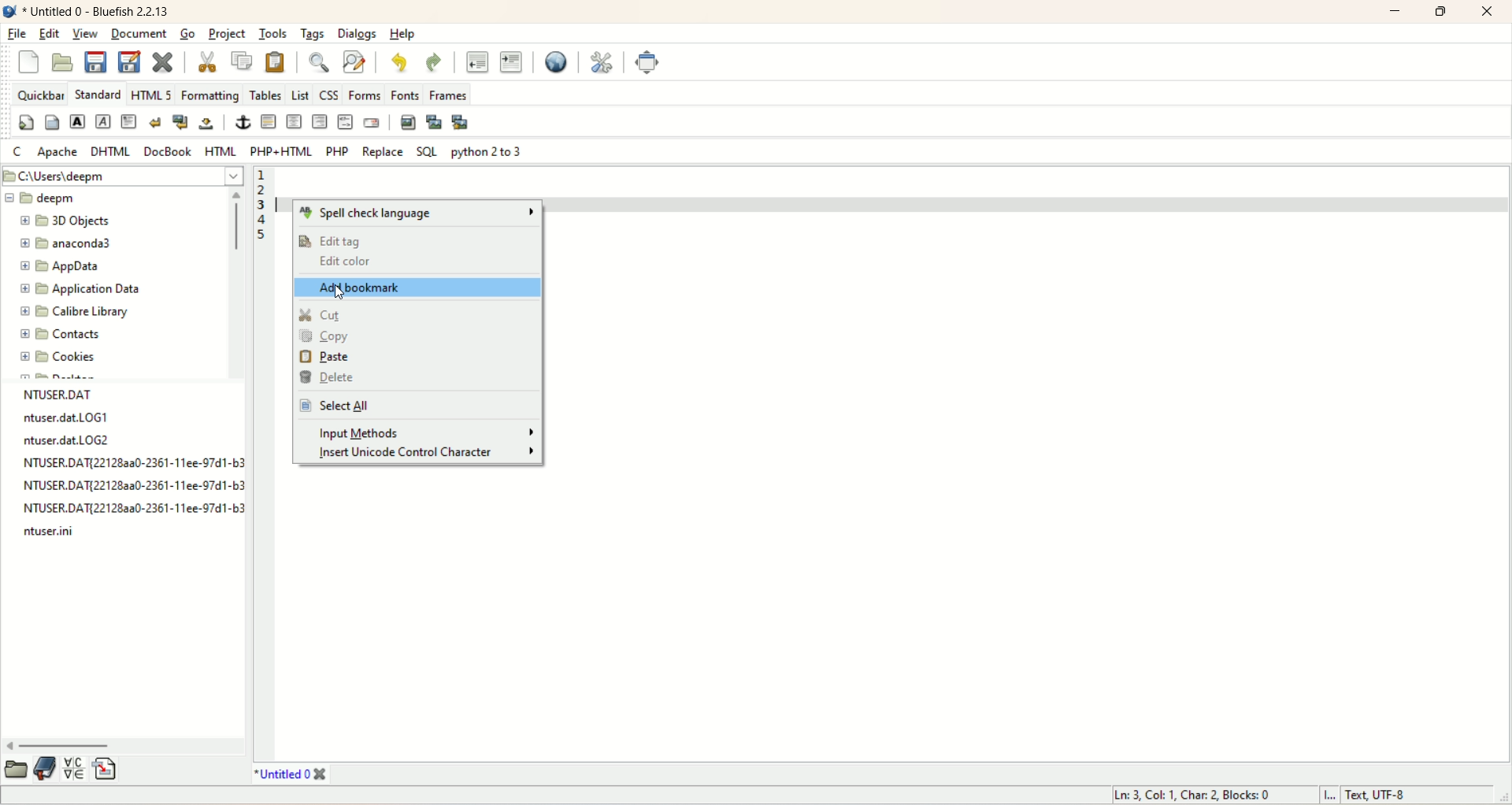 The height and width of the screenshot is (805, 1512). Describe the element at coordinates (600, 62) in the screenshot. I see `edit preferences` at that location.